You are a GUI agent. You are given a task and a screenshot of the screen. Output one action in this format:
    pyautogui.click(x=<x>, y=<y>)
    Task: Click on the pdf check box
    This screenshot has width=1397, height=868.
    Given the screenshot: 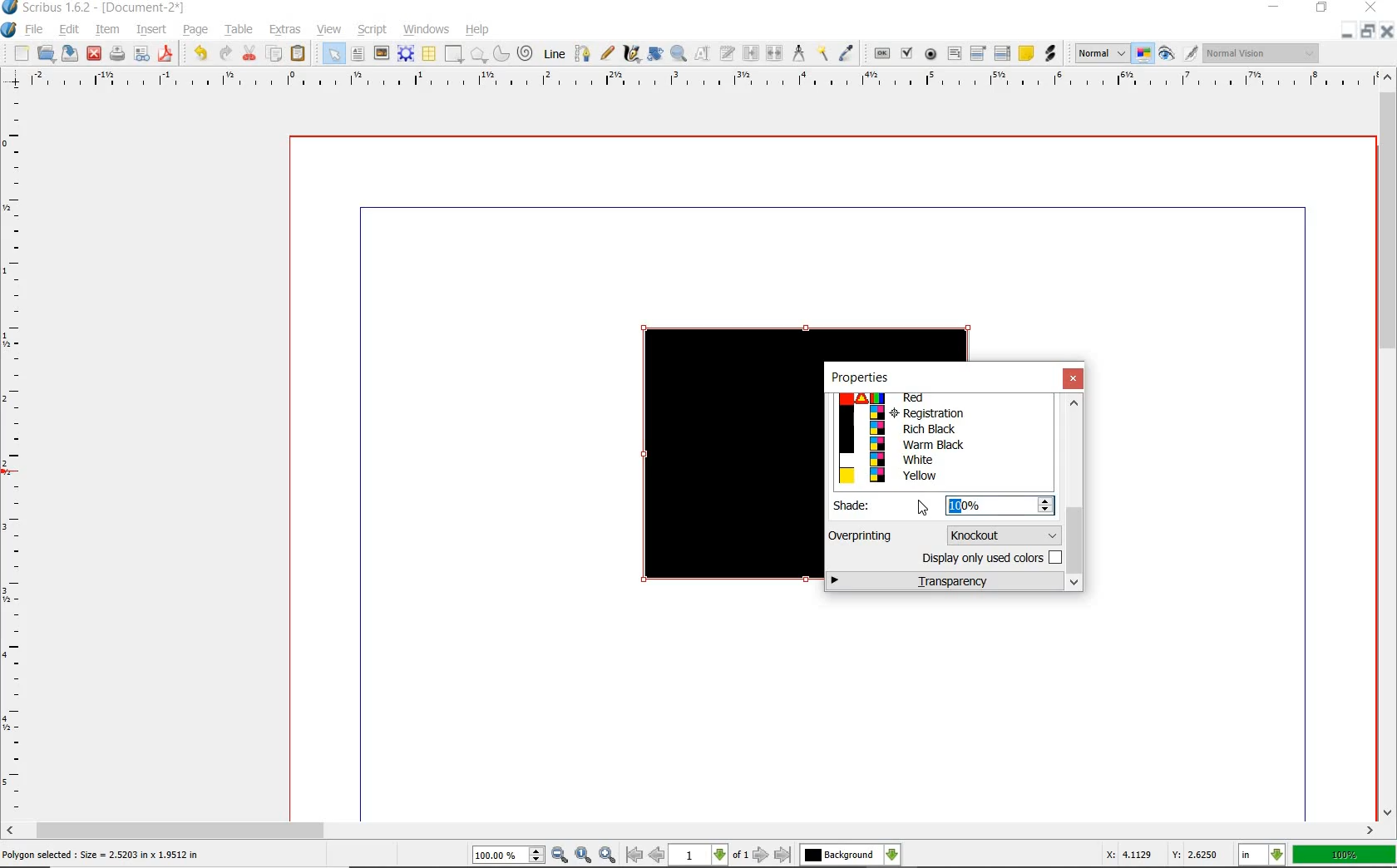 What is the action you would take?
    pyautogui.click(x=906, y=54)
    